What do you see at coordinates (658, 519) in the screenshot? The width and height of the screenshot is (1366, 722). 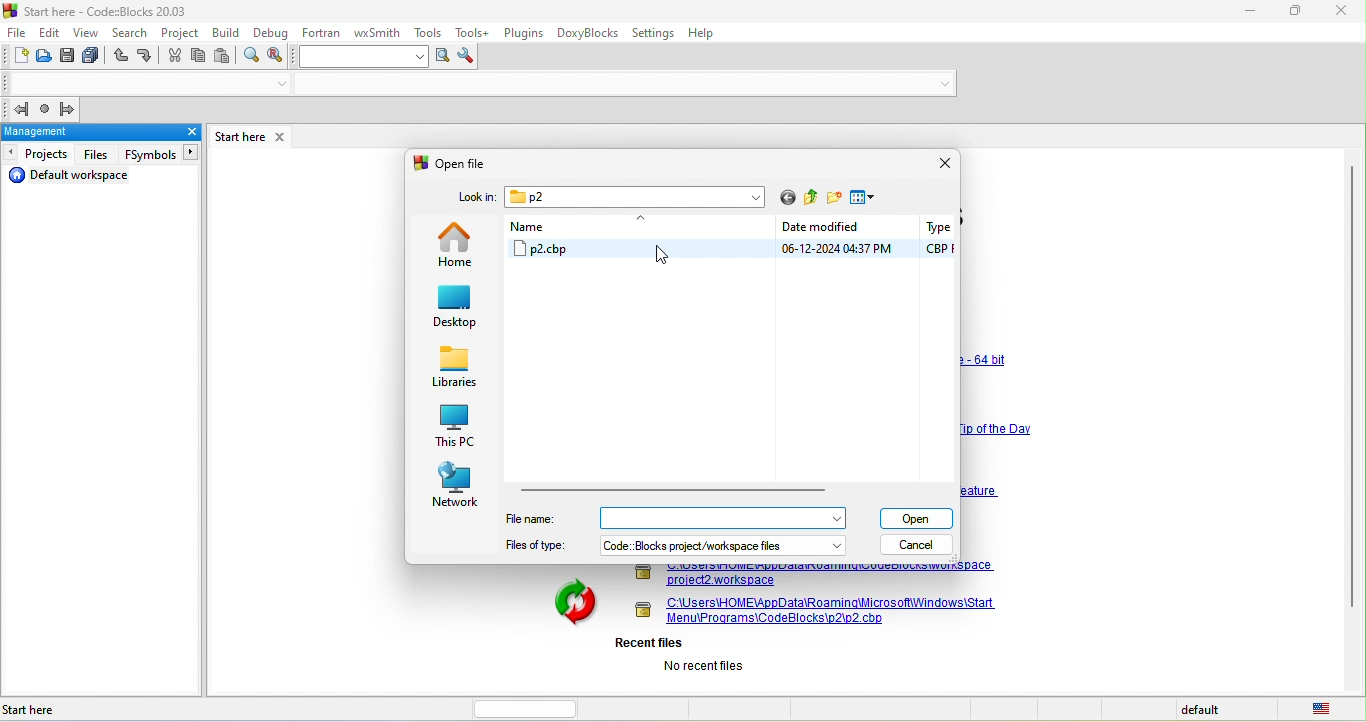 I see `file name` at bounding box center [658, 519].